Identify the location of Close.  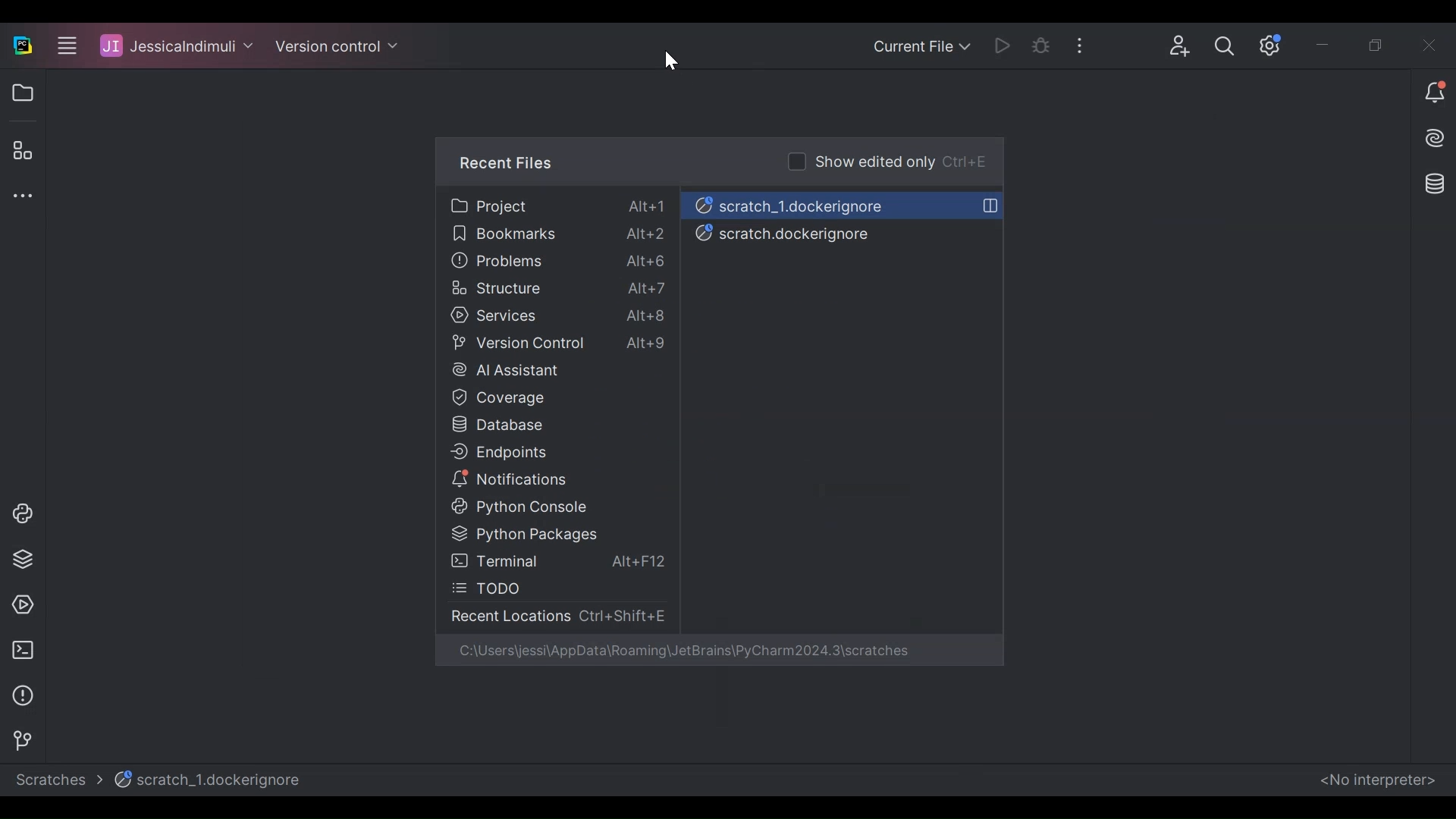
(1430, 45).